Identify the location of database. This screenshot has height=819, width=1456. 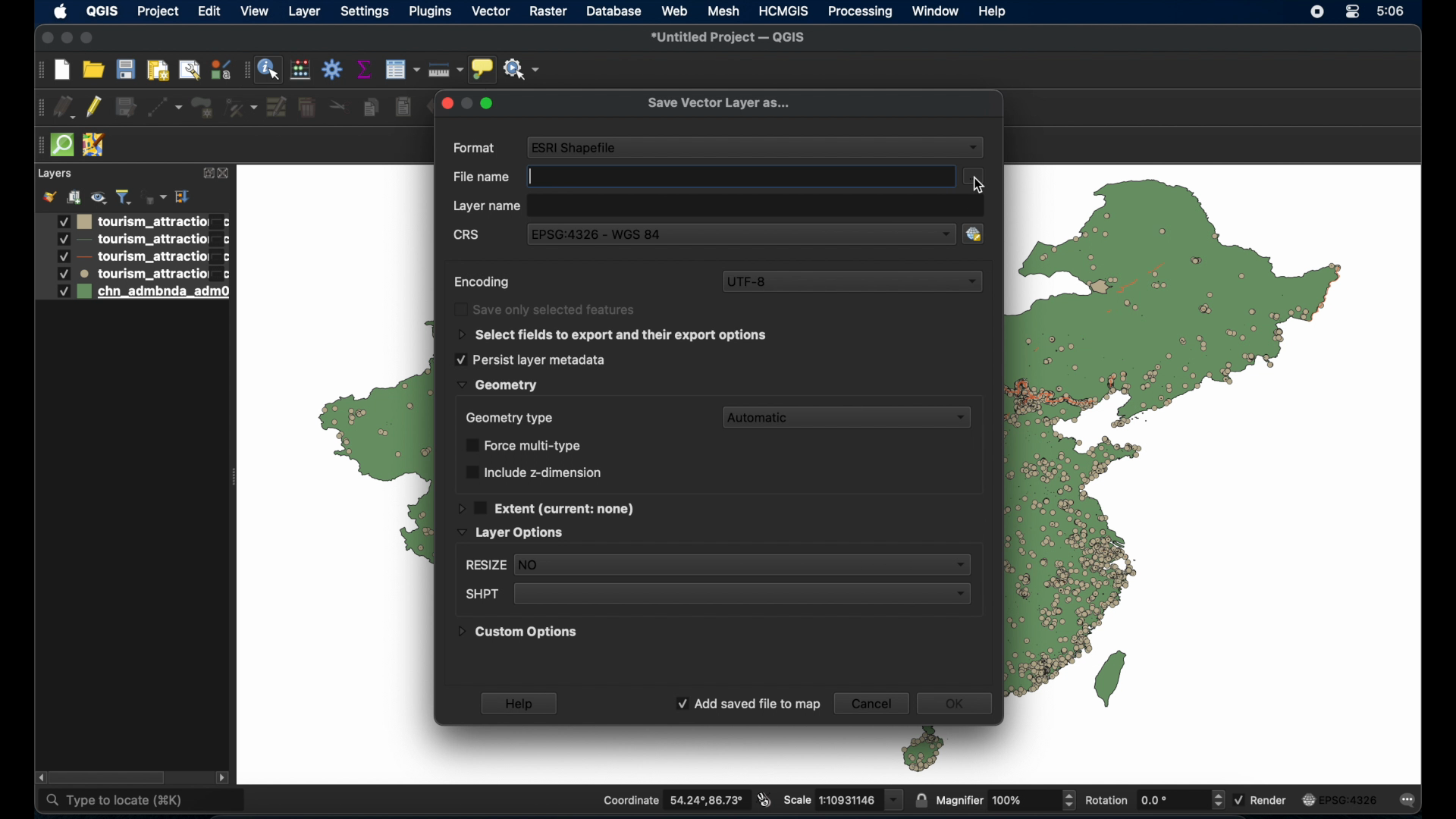
(613, 11).